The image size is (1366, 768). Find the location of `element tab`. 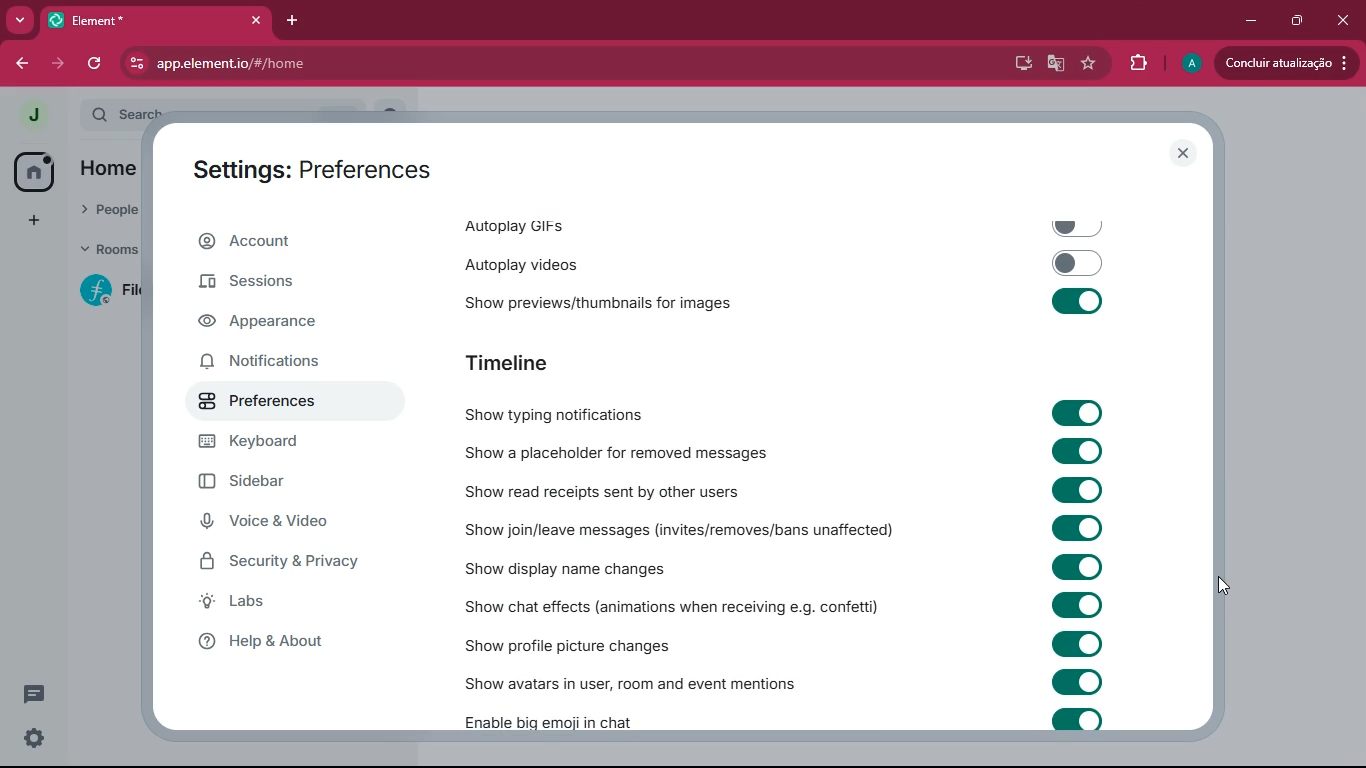

element tab is located at coordinates (158, 21).